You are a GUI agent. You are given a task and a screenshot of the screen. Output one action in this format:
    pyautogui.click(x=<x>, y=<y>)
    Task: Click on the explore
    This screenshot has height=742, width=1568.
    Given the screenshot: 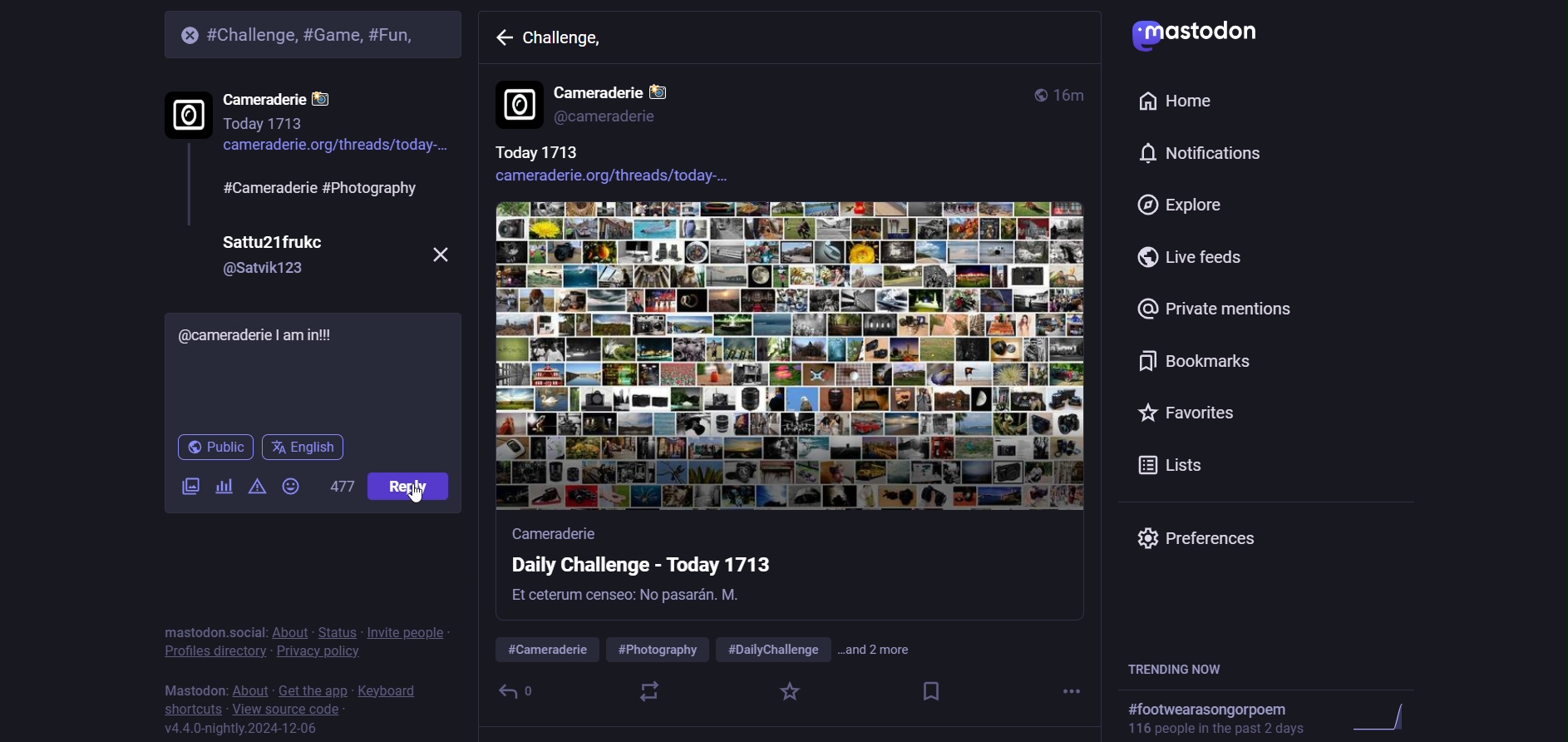 What is the action you would take?
    pyautogui.click(x=1183, y=204)
    